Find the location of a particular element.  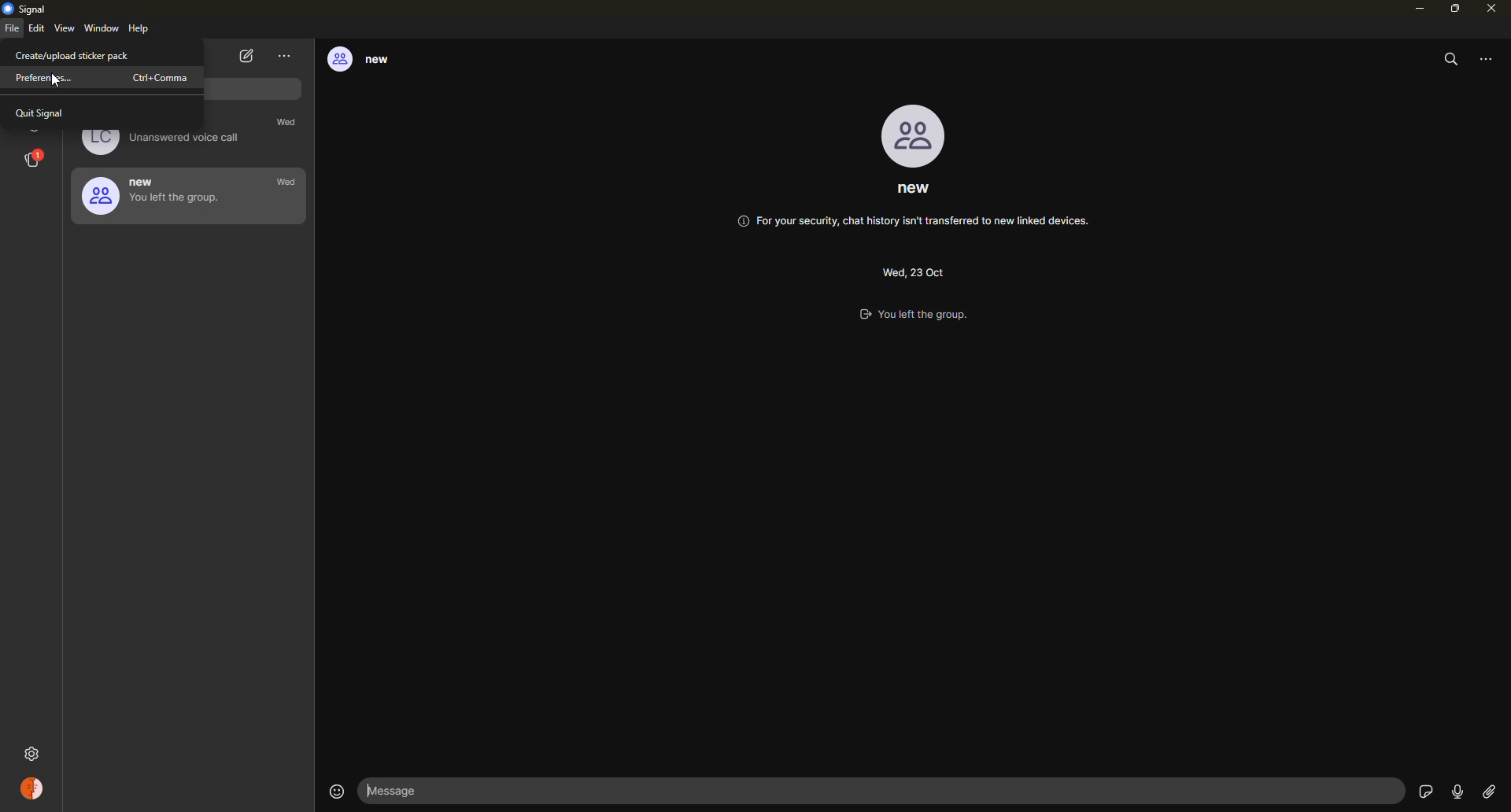

record is located at coordinates (1457, 792).